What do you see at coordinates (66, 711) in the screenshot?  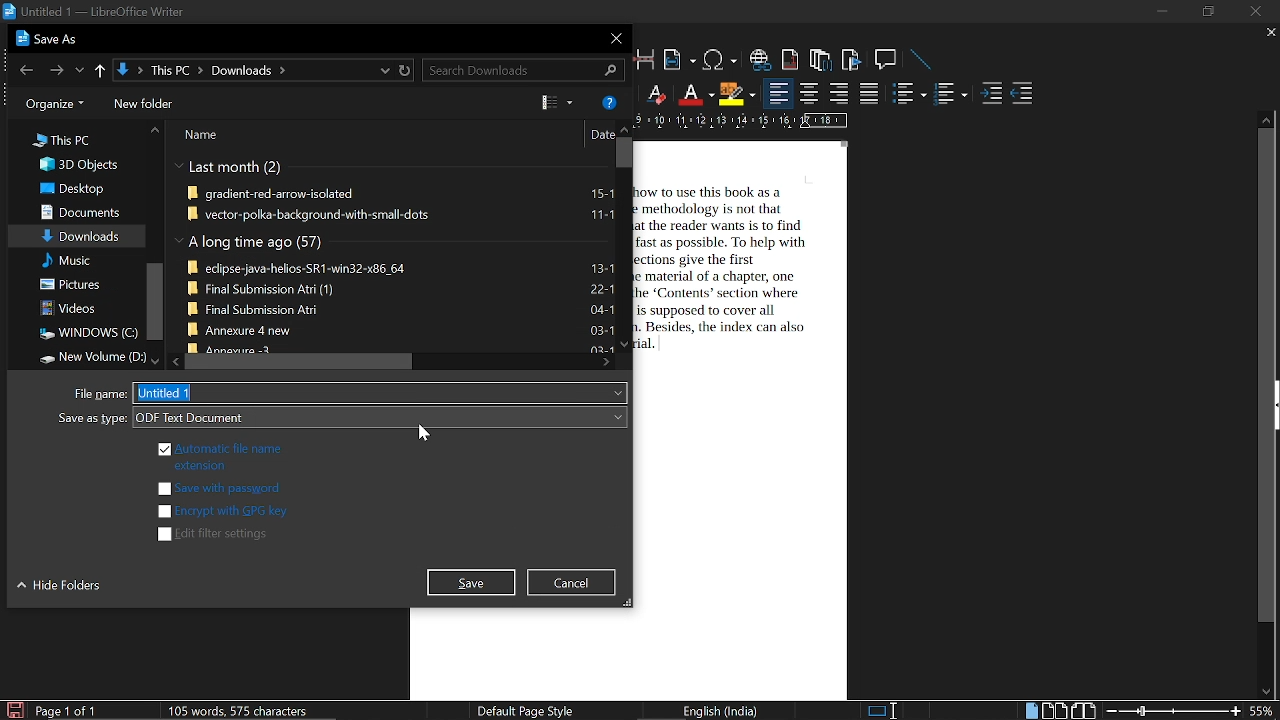 I see `current page` at bounding box center [66, 711].